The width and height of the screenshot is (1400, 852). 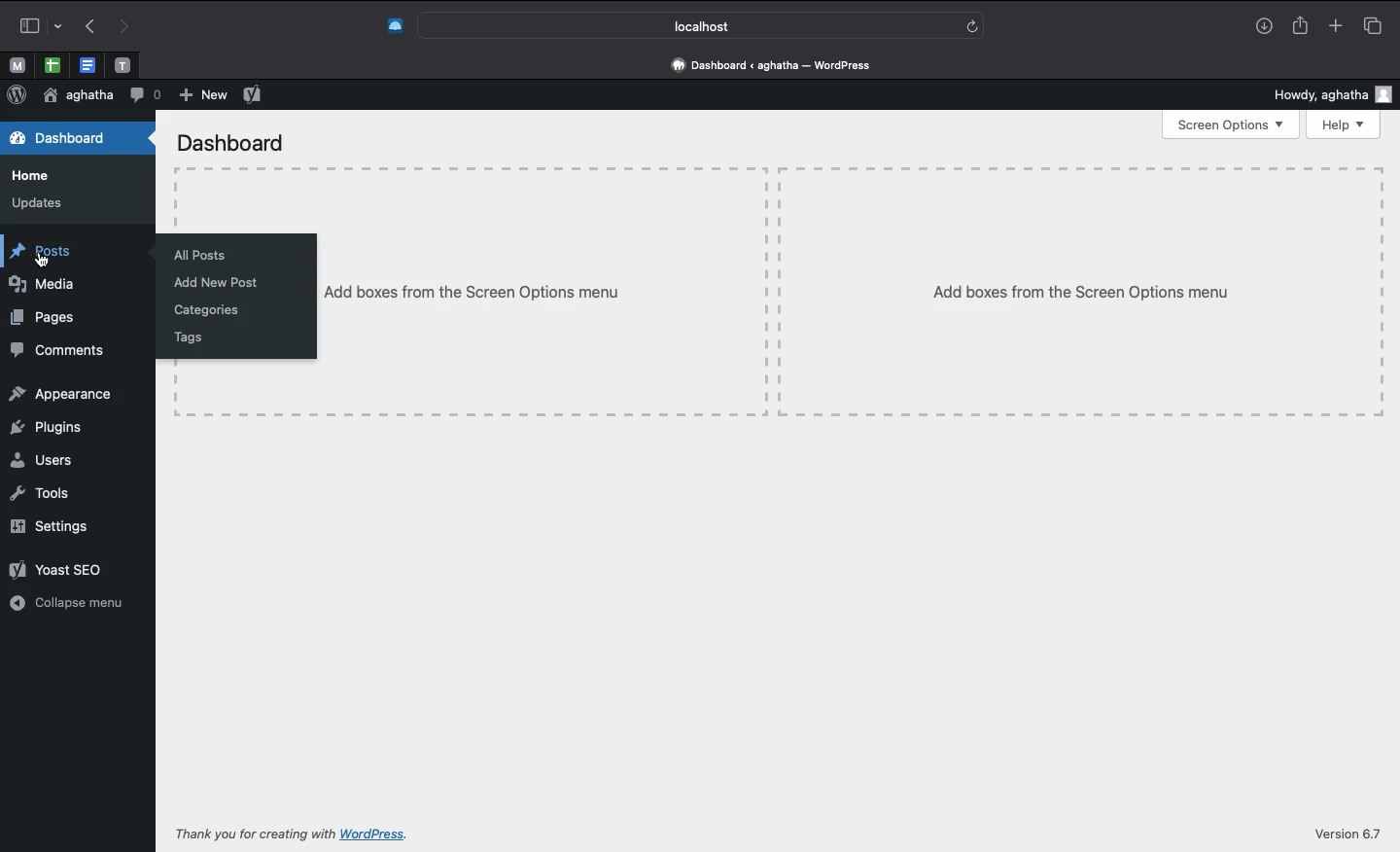 What do you see at coordinates (62, 392) in the screenshot?
I see `Appearance` at bounding box center [62, 392].